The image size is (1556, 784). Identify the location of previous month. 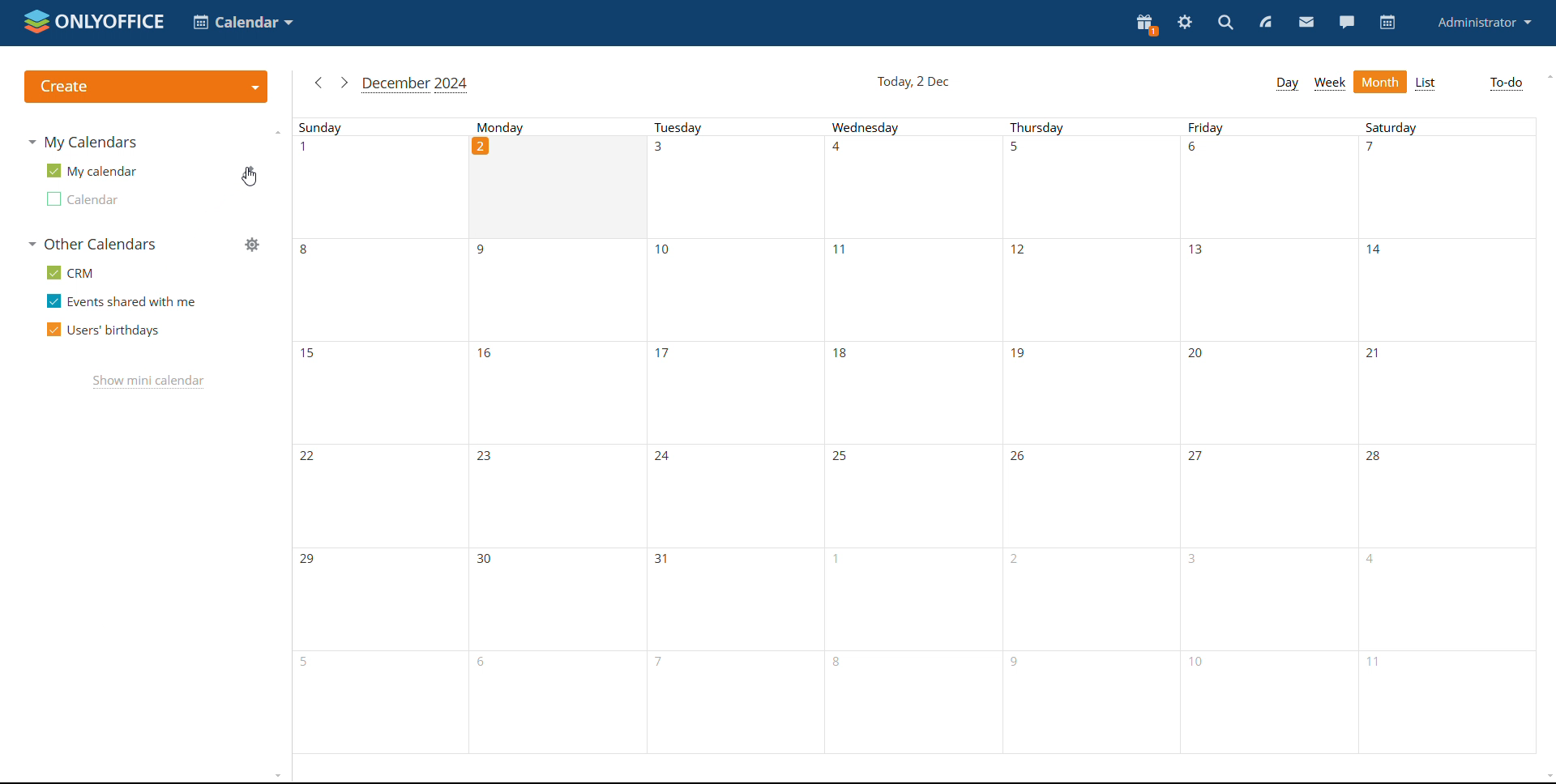
(318, 83).